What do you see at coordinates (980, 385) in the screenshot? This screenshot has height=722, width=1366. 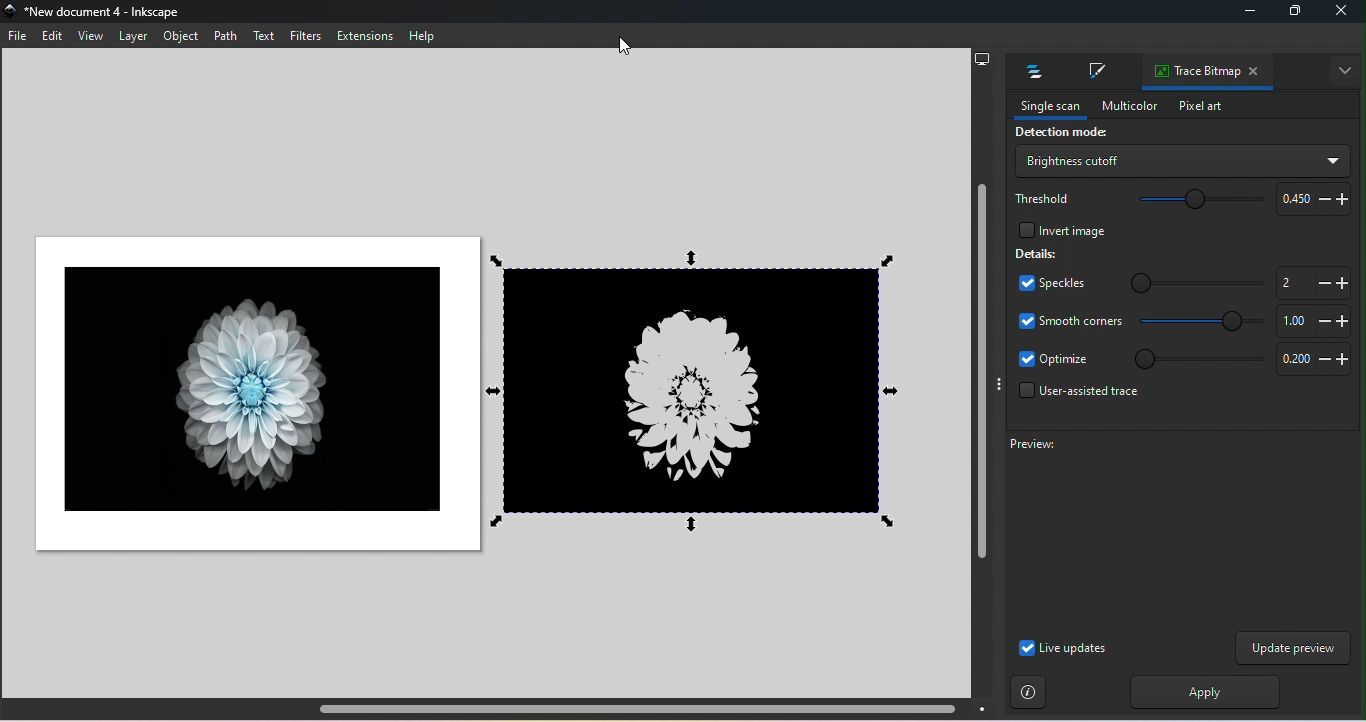 I see `Vertical scroll bar` at bounding box center [980, 385].